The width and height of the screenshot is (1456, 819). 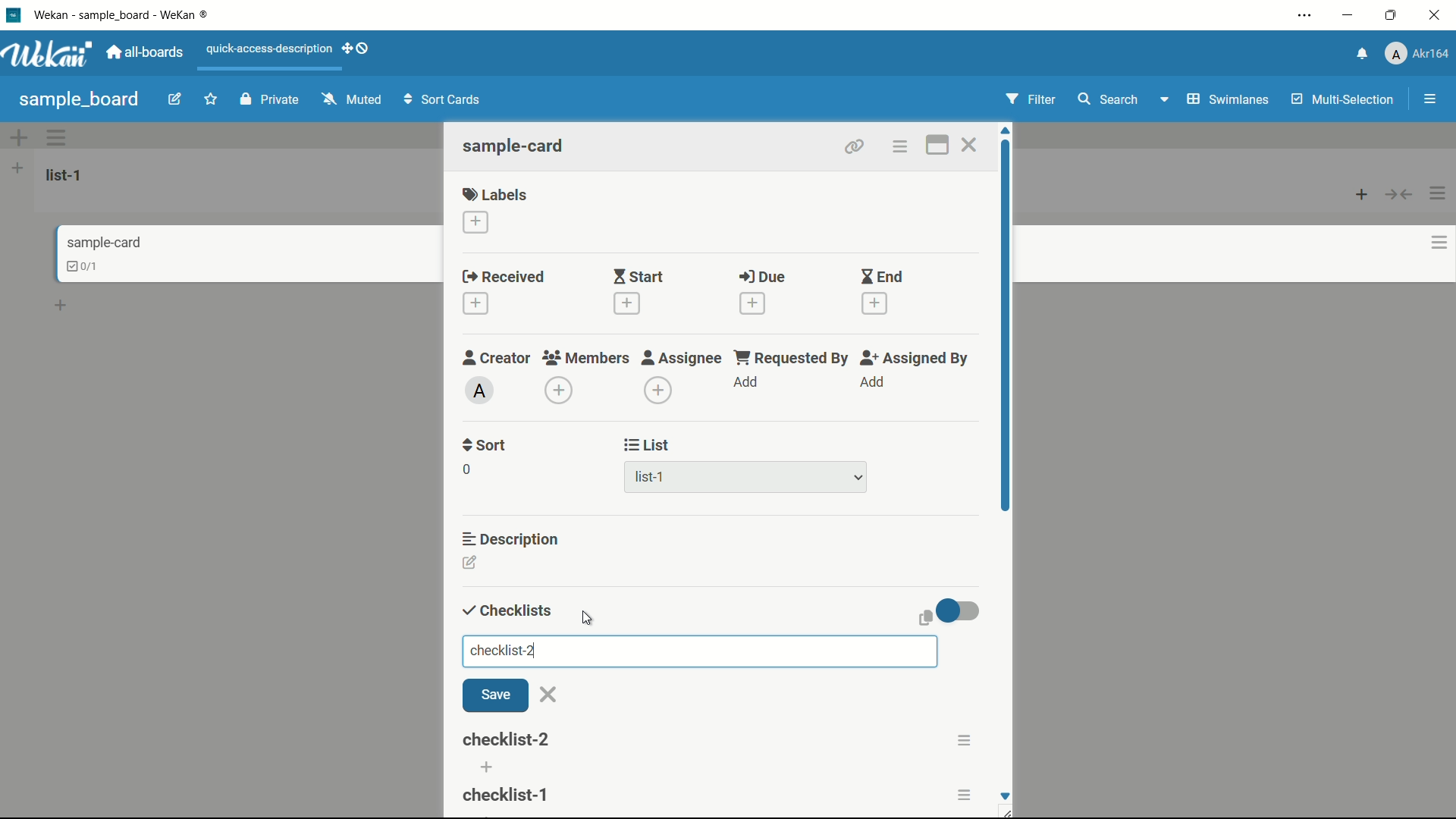 What do you see at coordinates (625, 303) in the screenshot?
I see `add date` at bounding box center [625, 303].